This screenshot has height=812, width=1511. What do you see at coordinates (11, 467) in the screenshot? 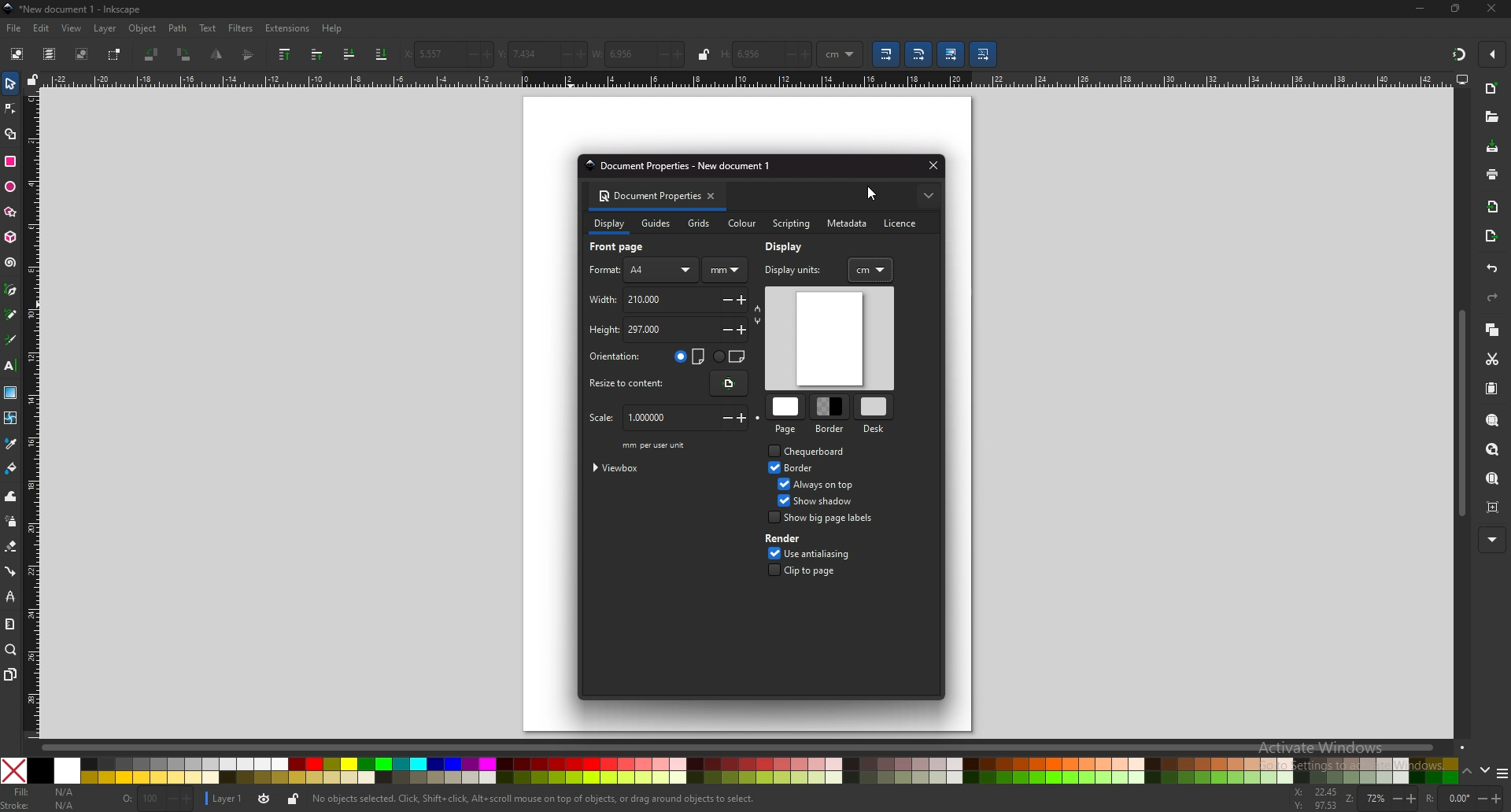
I see `paint bucket` at bounding box center [11, 467].